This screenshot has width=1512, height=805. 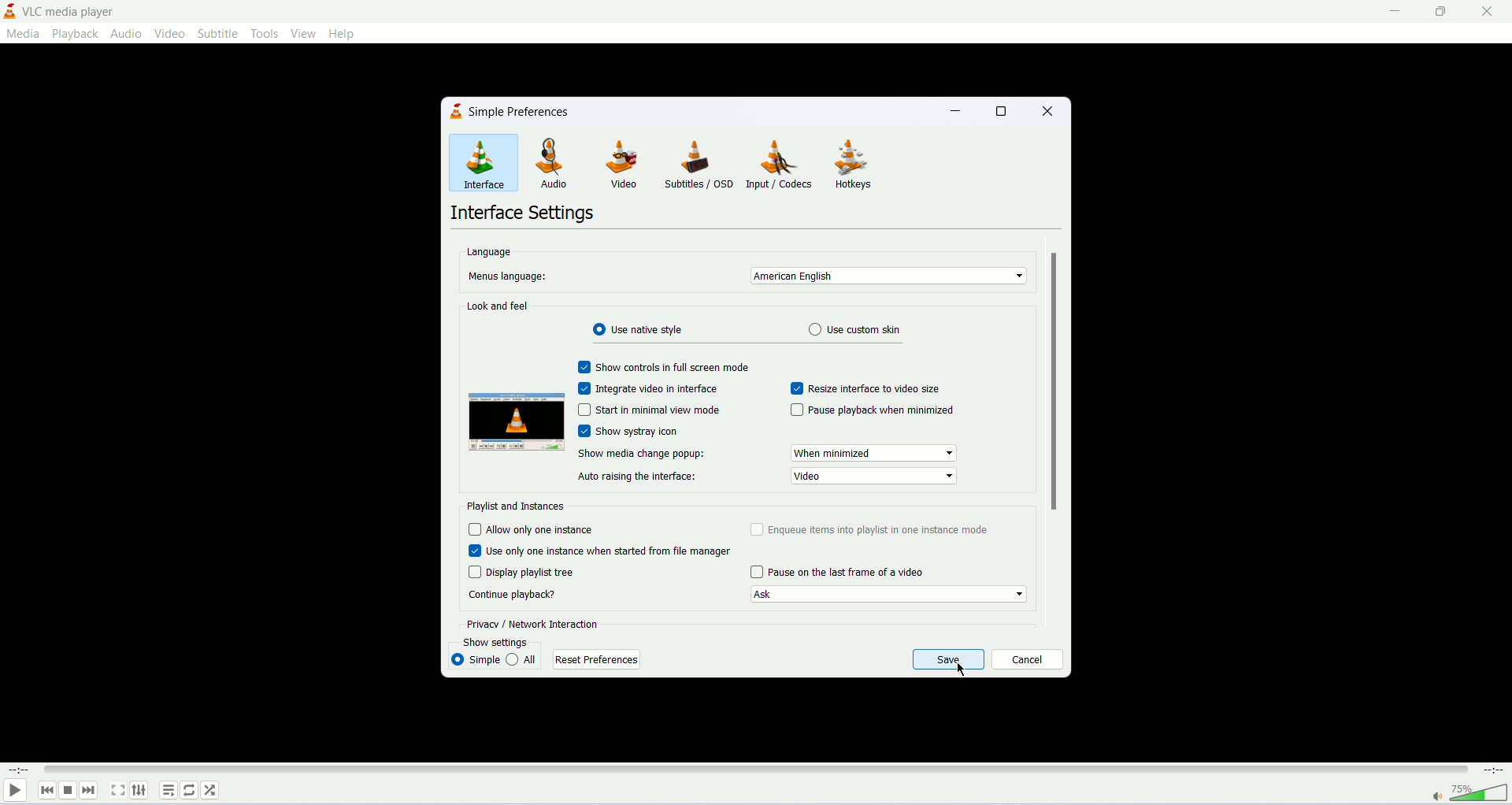 I want to click on help, so click(x=345, y=34).